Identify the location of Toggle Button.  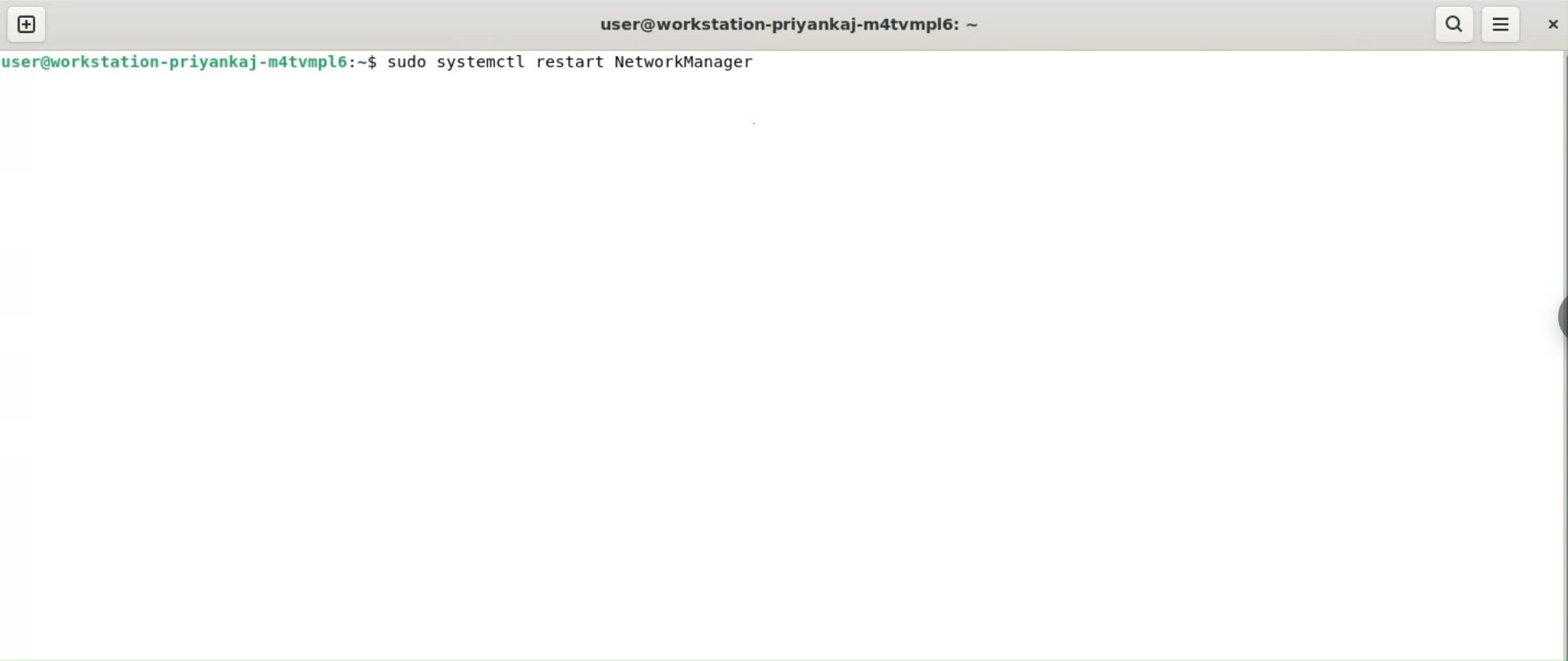
(1556, 312).